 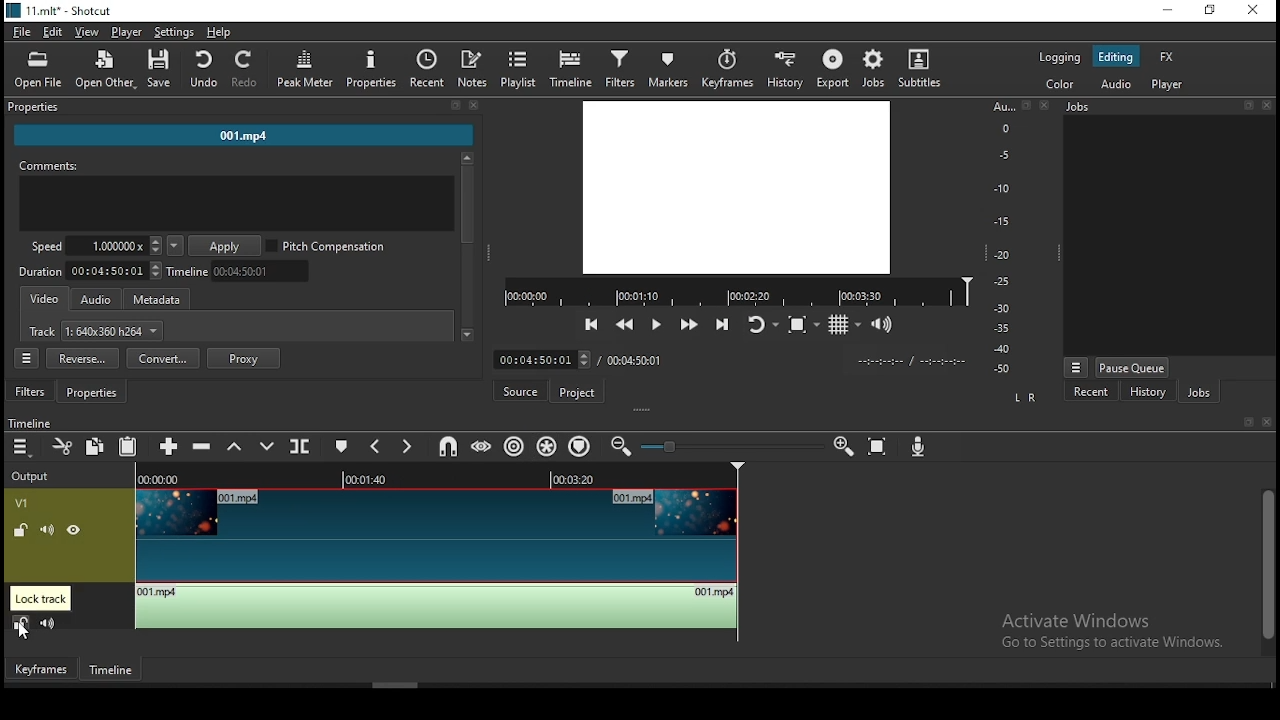 I want to click on paste, so click(x=127, y=447).